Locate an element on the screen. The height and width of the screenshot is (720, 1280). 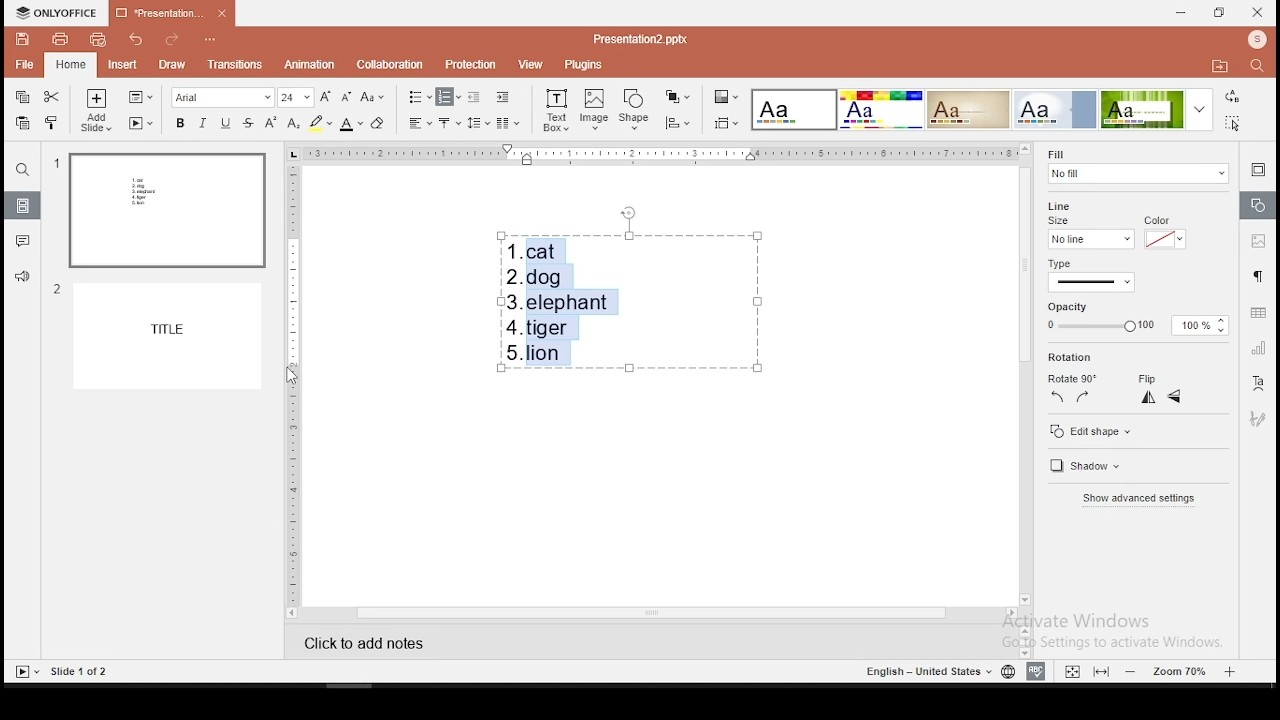
profile is located at coordinates (1254, 39).